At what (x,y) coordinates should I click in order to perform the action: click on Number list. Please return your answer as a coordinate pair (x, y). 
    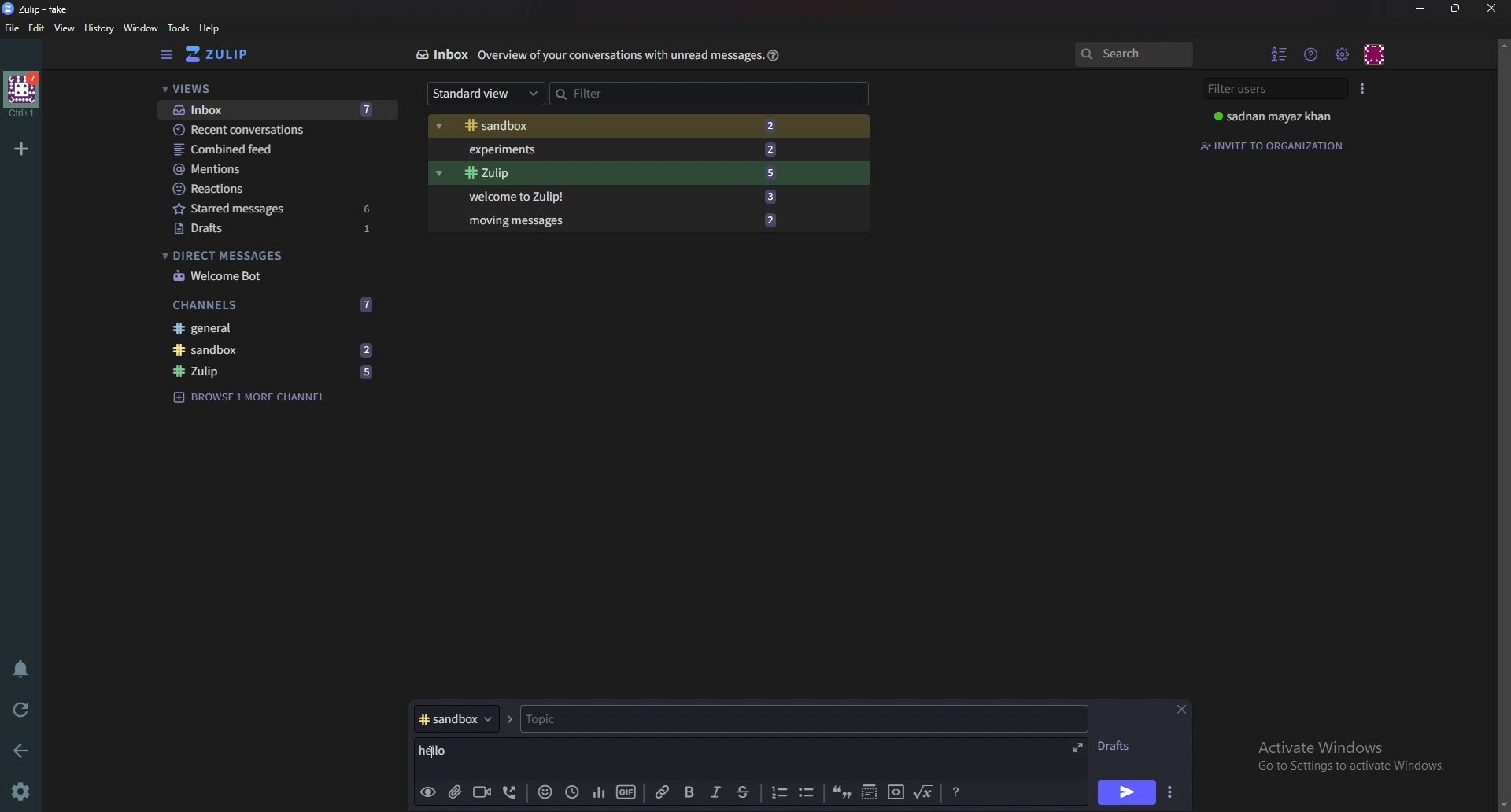
    Looking at the image, I should click on (777, 792).